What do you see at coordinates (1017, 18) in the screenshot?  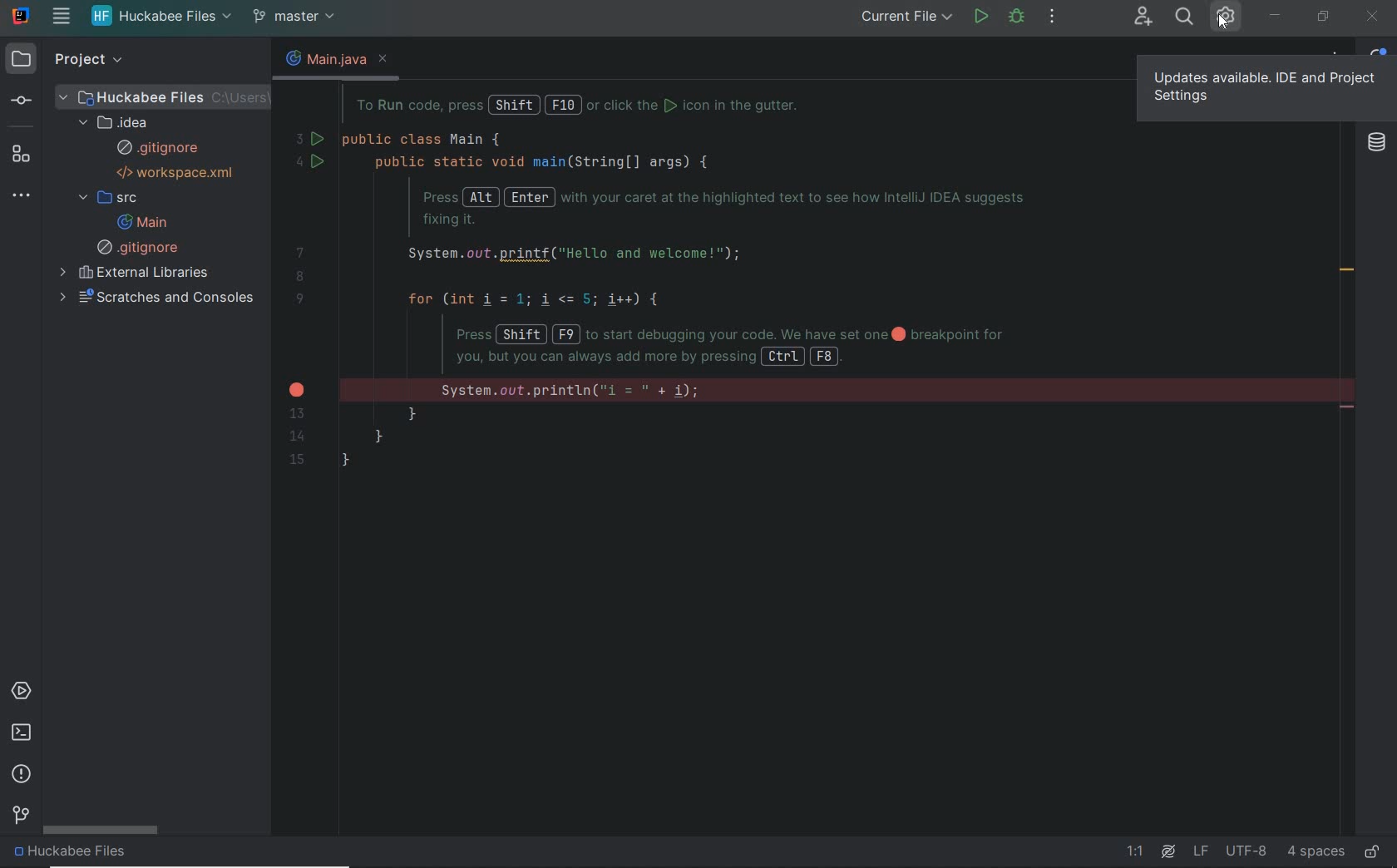 I see `debug` at bounding box center [1017, 18].